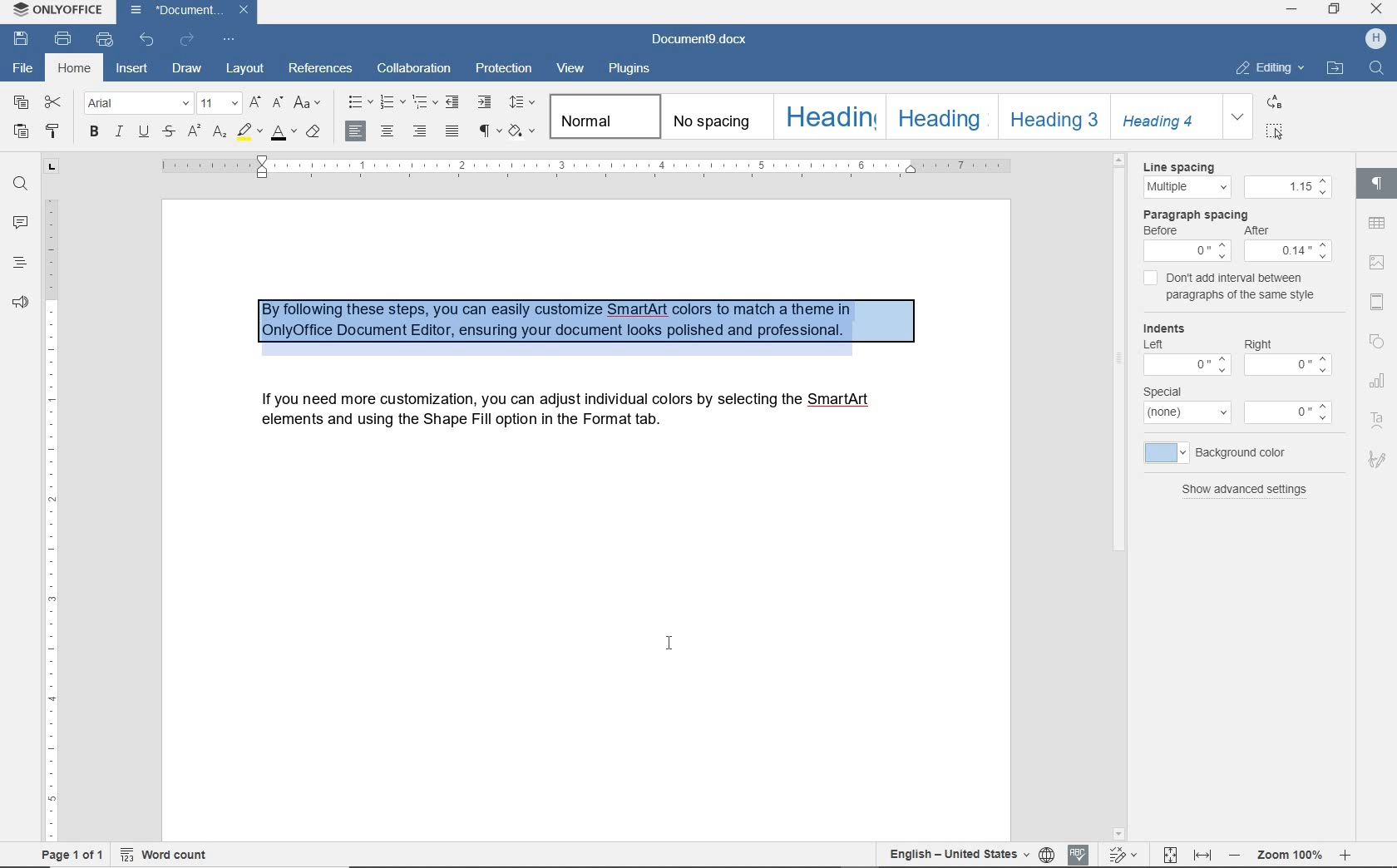 This screenshot has height=868, width=1397. I want to click on text, so click(557, 416).